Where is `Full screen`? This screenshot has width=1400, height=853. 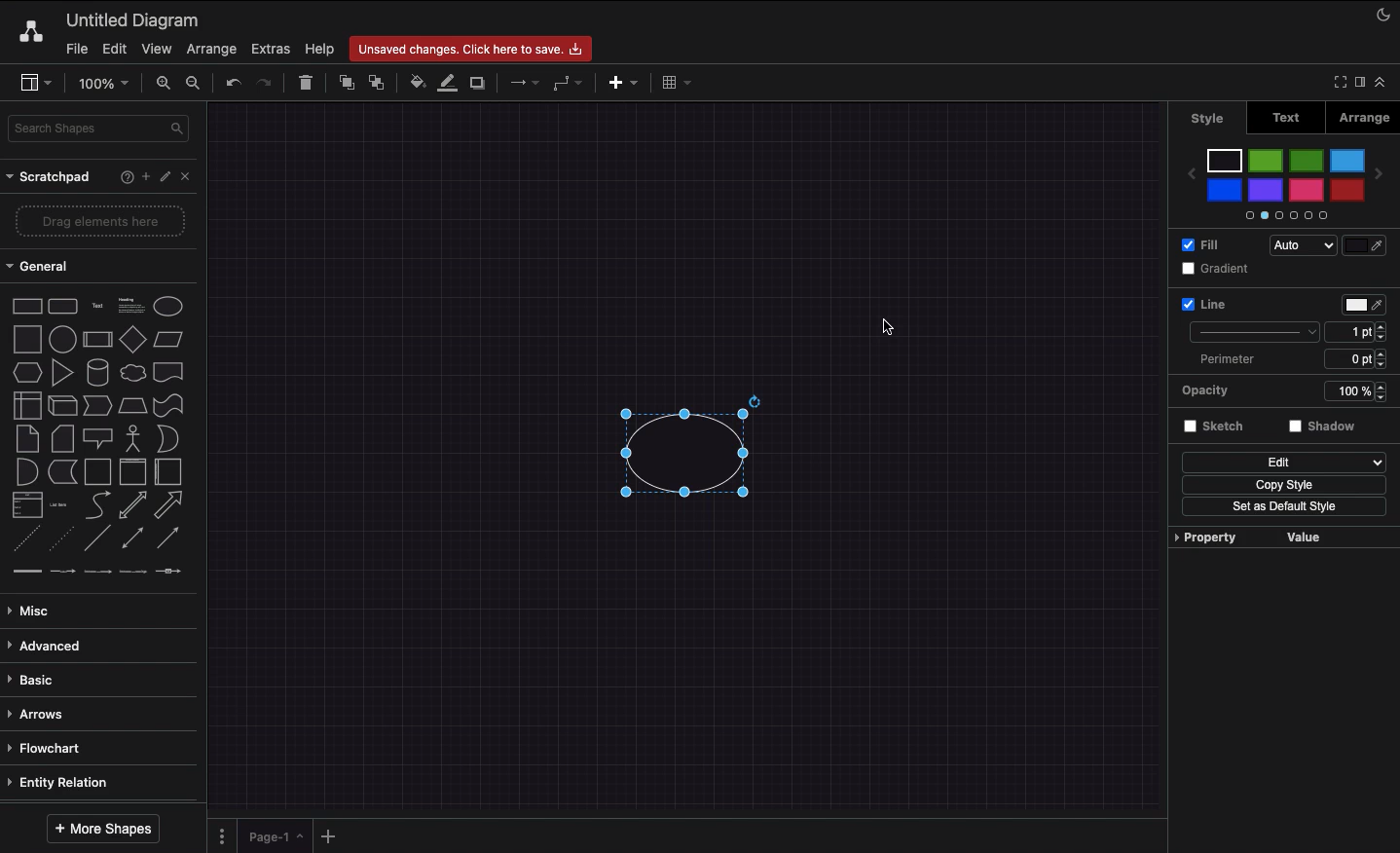 Full screen is located at coordinates (1338, 81).